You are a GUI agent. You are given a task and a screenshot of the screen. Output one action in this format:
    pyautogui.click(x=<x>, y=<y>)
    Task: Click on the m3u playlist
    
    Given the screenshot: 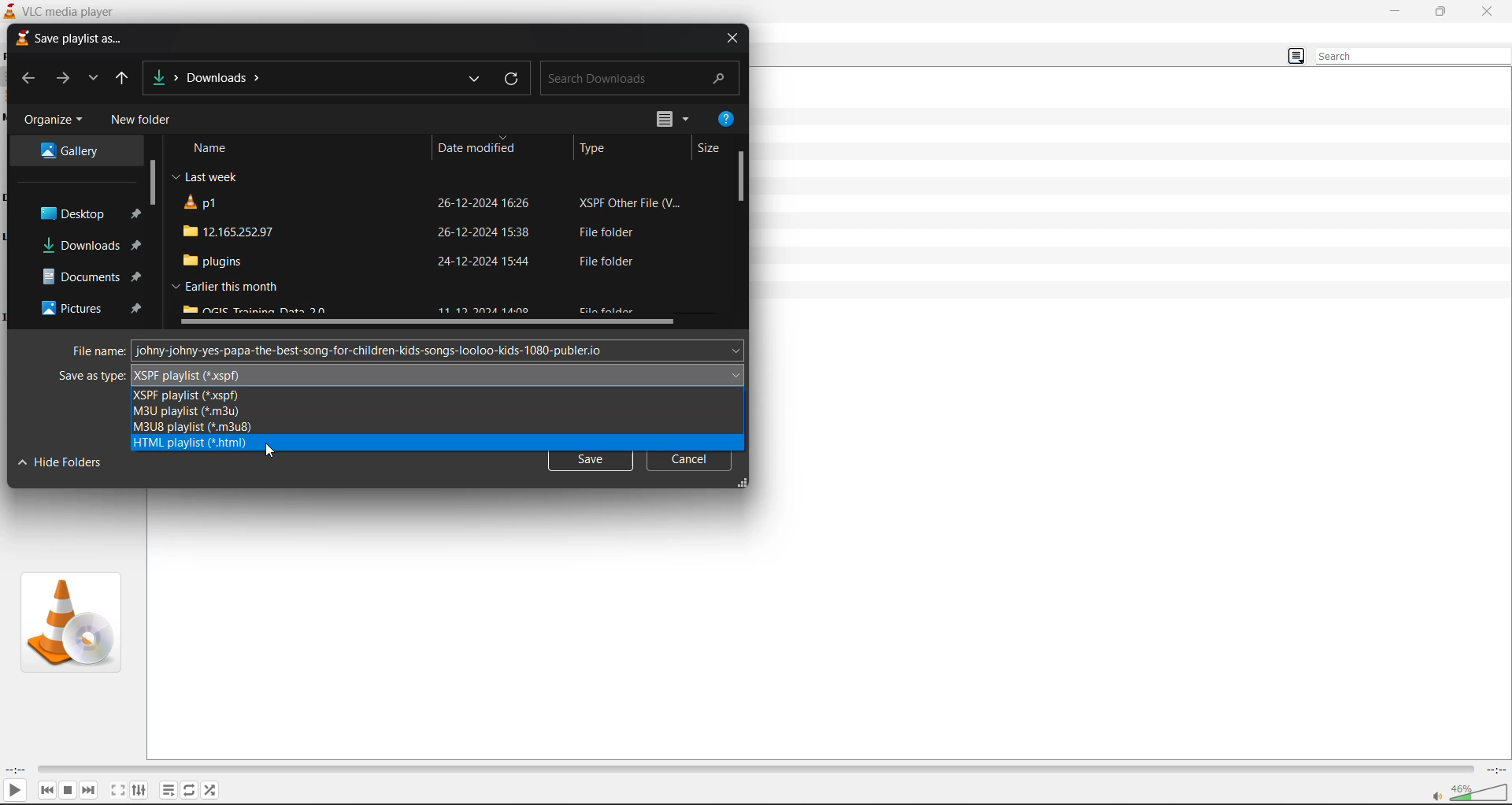 What is the action you would take?
    pyautogui.click(x=187, y=412)
    